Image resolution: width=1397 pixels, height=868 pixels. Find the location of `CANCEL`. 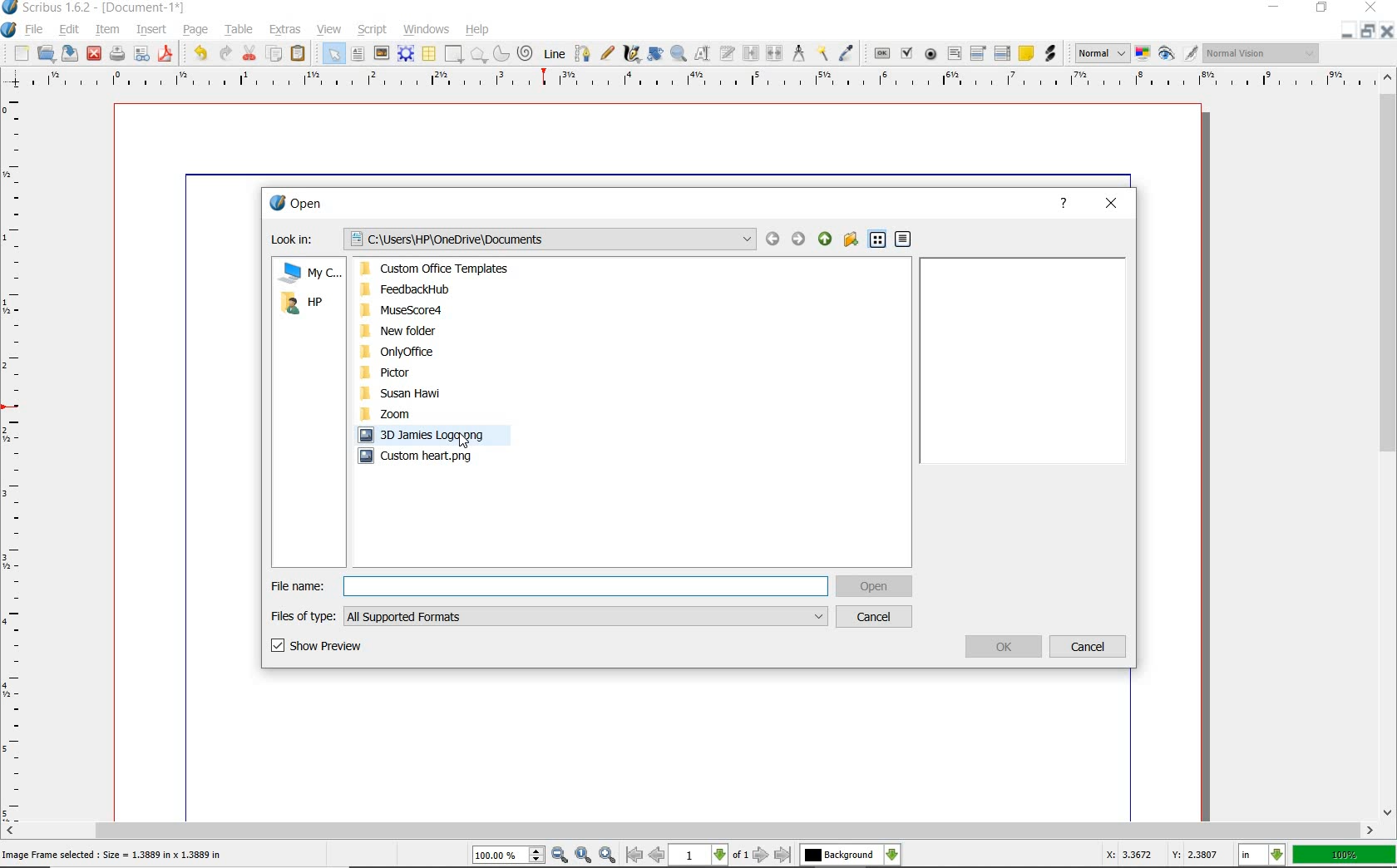

CANCEL is located at coordinates (875, 617).